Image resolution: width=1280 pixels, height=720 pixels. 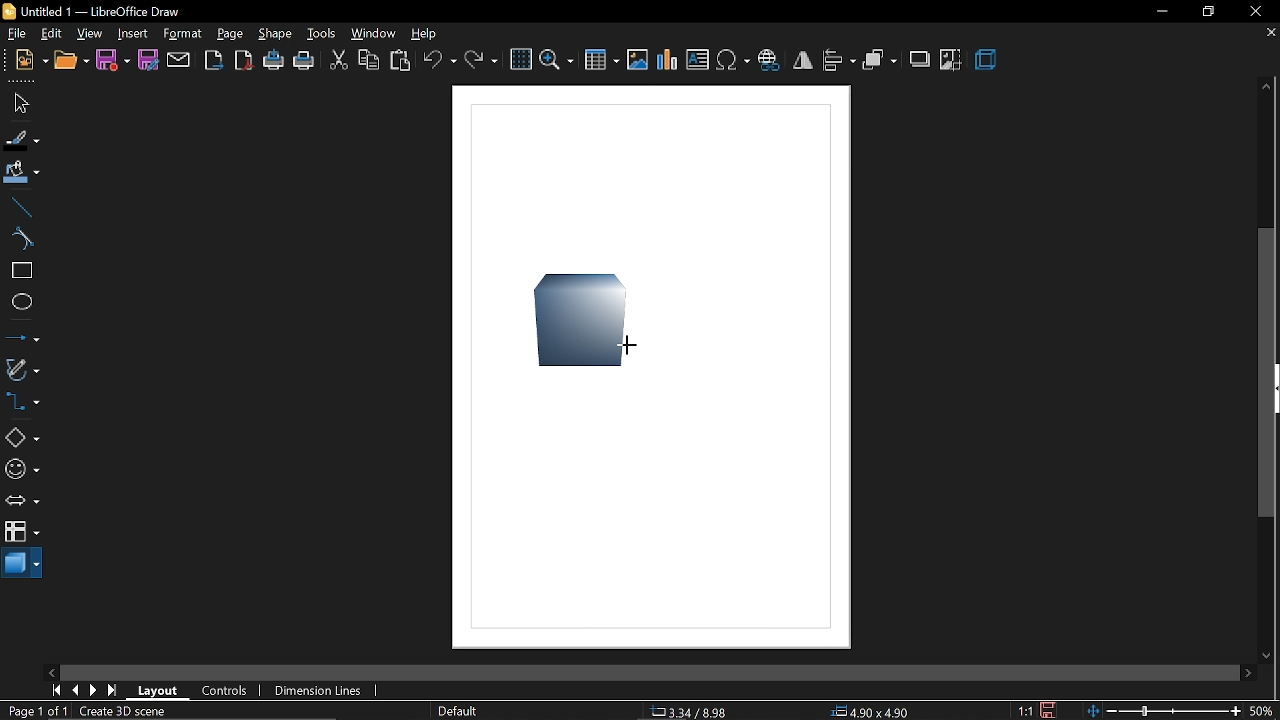 I want to click on open, so click(x=72, y=60).